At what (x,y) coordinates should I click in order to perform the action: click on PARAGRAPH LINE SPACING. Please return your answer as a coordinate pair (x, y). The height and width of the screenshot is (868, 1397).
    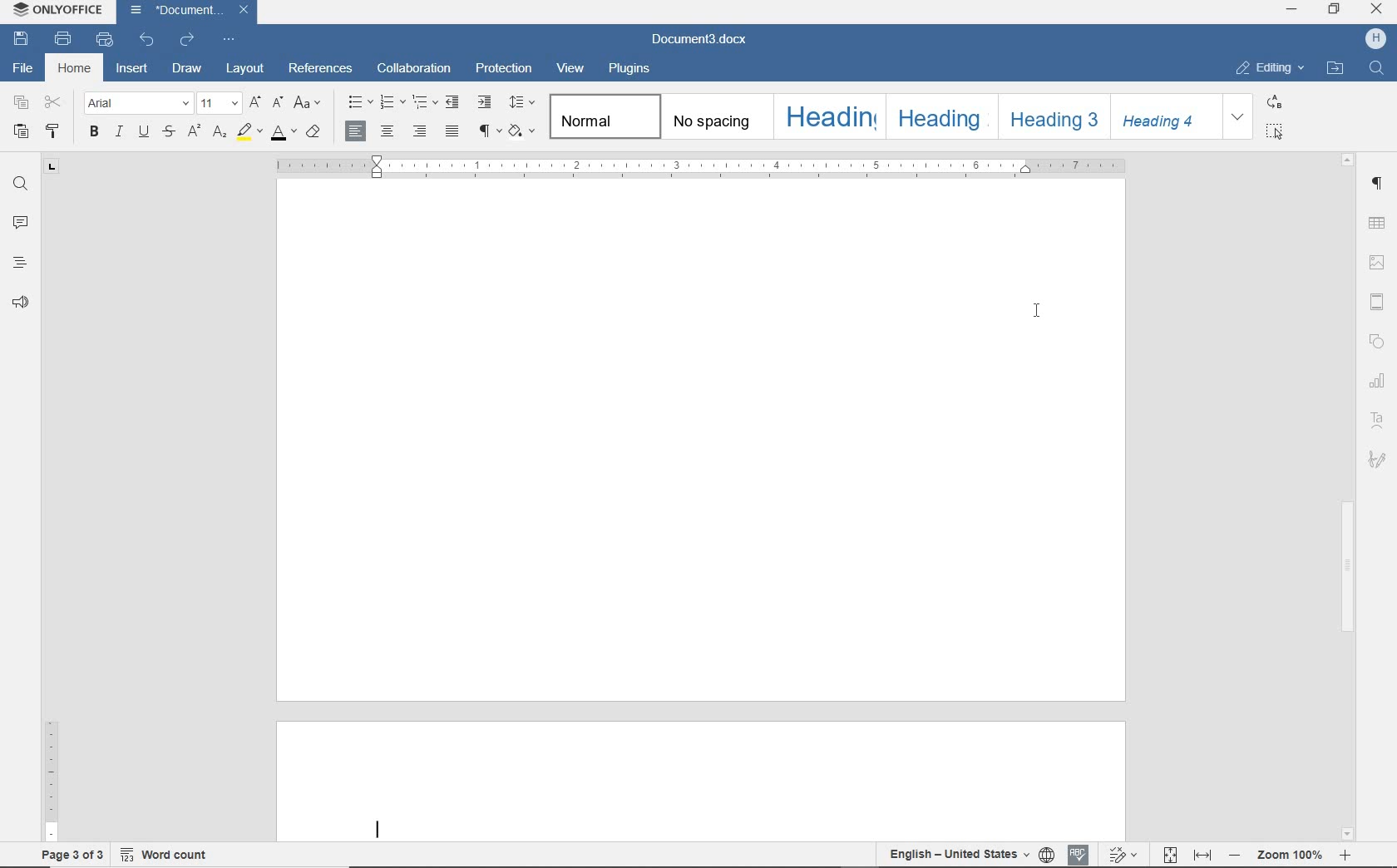
    Looking at the image, I should click on (521, 101).